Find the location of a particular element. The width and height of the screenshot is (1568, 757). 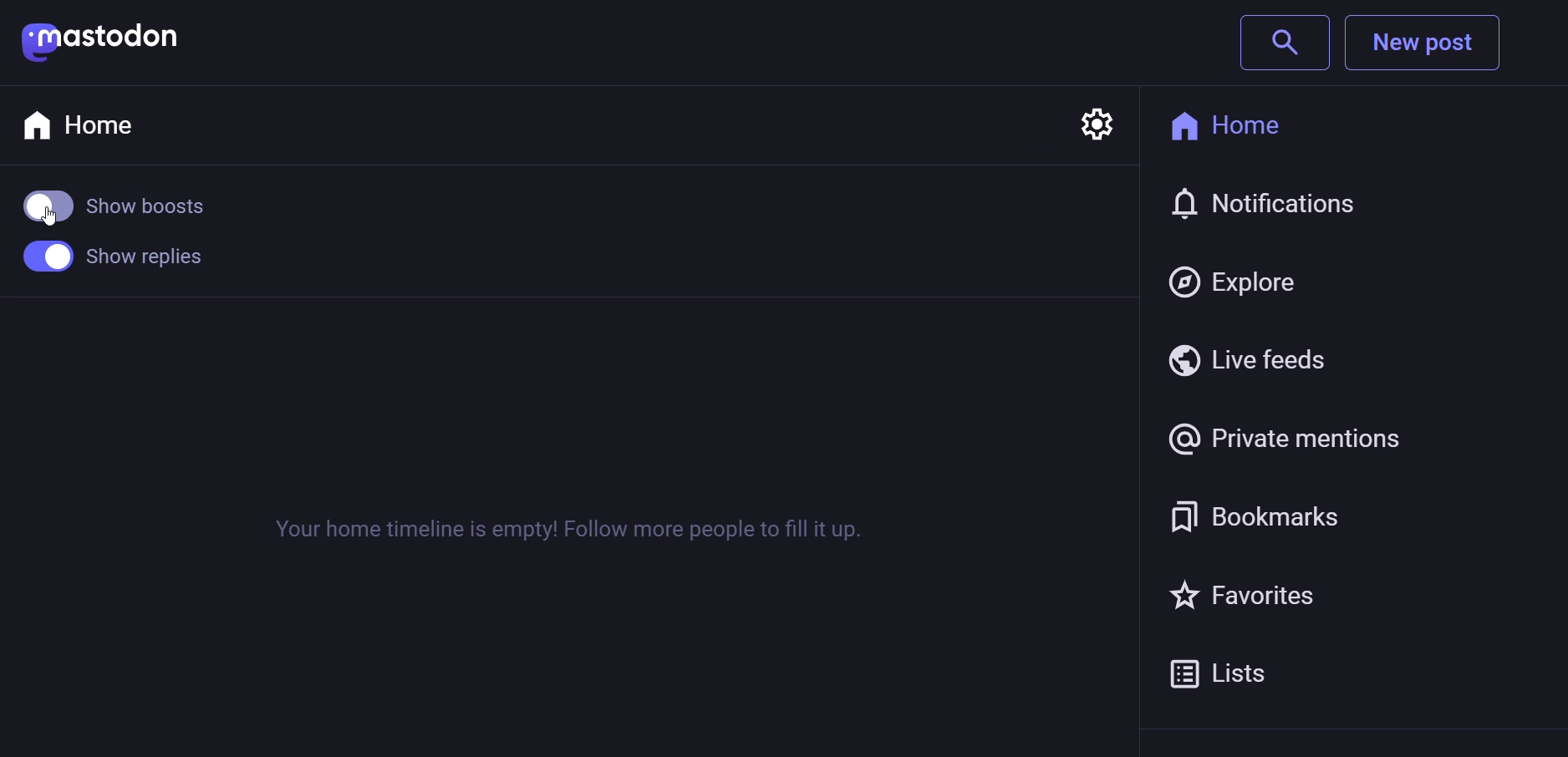

show replies is located at coordinates (110, 262).